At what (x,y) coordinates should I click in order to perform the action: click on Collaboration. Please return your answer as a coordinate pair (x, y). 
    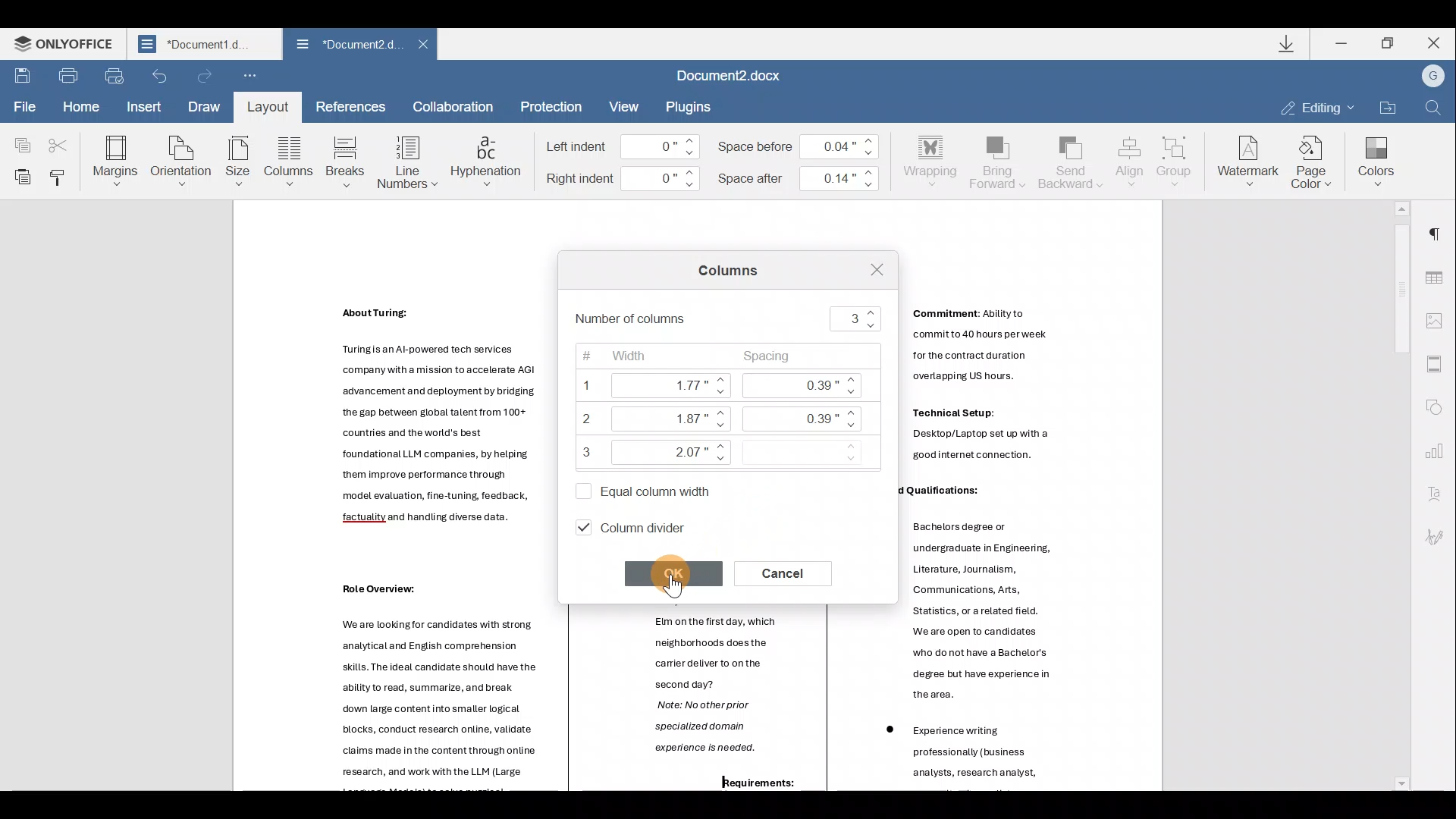
    Looking at the image, I should click on (453, 106).